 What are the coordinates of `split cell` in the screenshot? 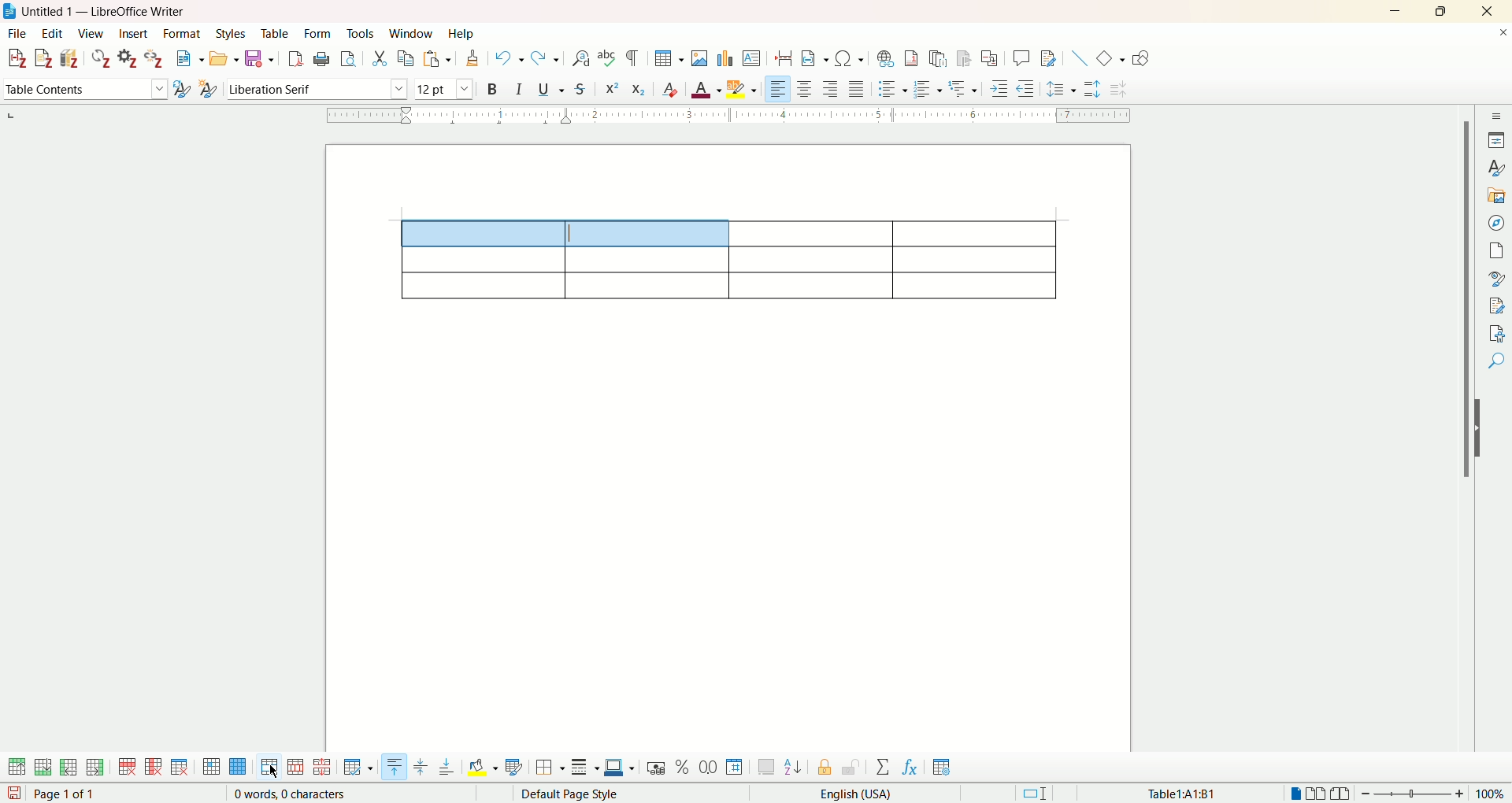 It's located at (295, 768).